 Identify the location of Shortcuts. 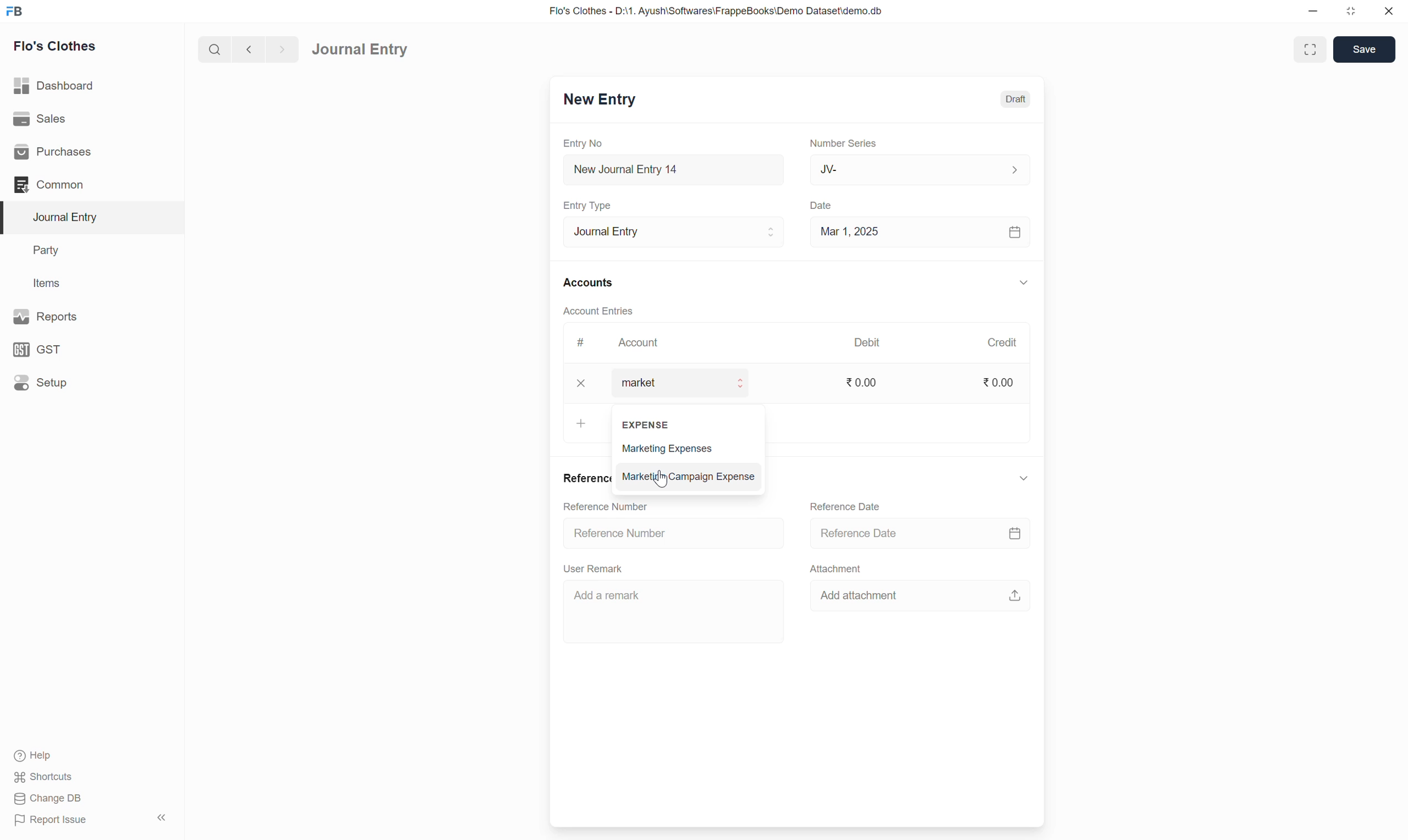
(48, 777).